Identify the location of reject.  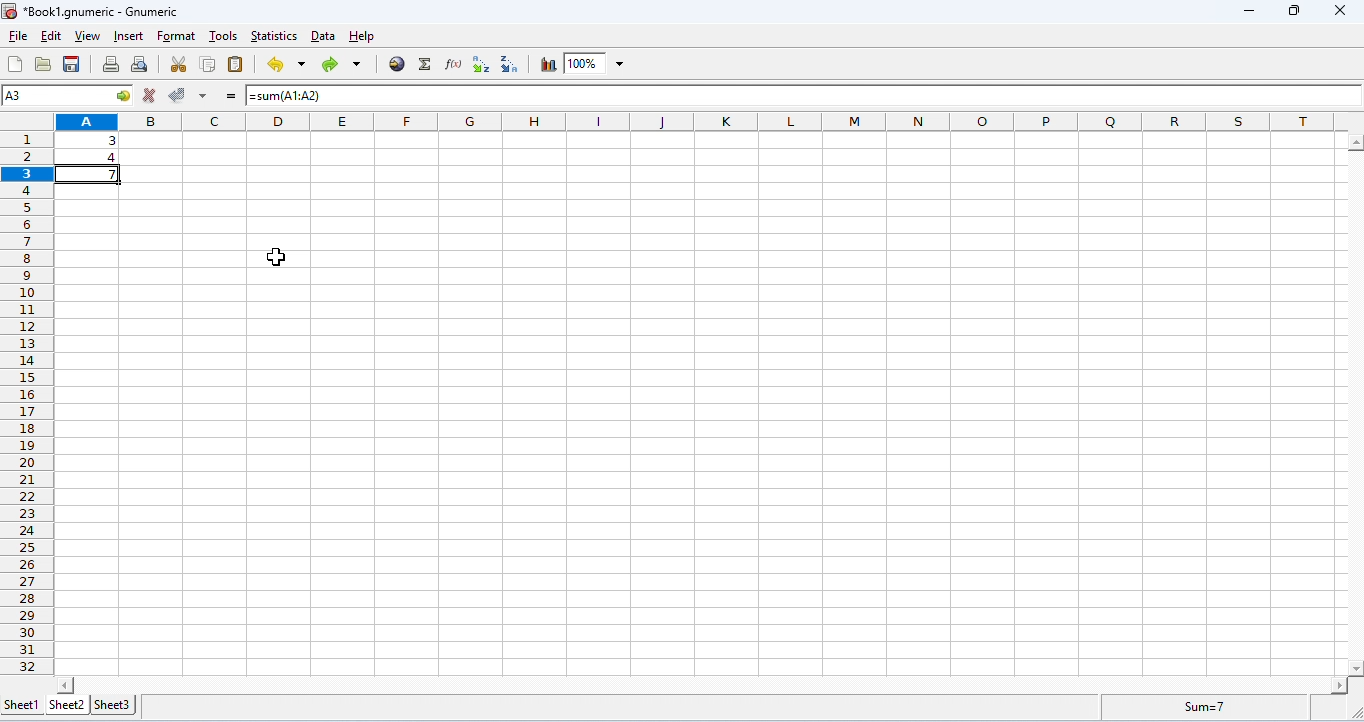
(149, 95).